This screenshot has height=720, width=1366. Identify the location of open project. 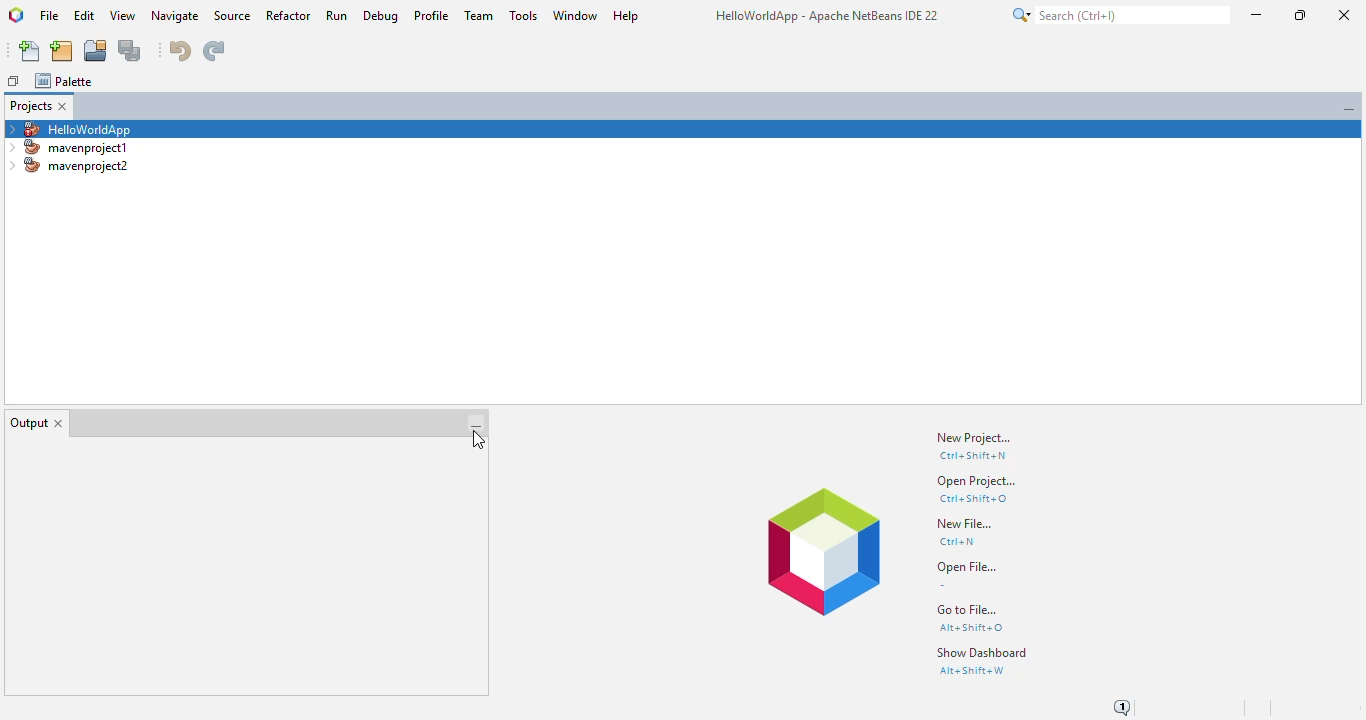
(96, 50).